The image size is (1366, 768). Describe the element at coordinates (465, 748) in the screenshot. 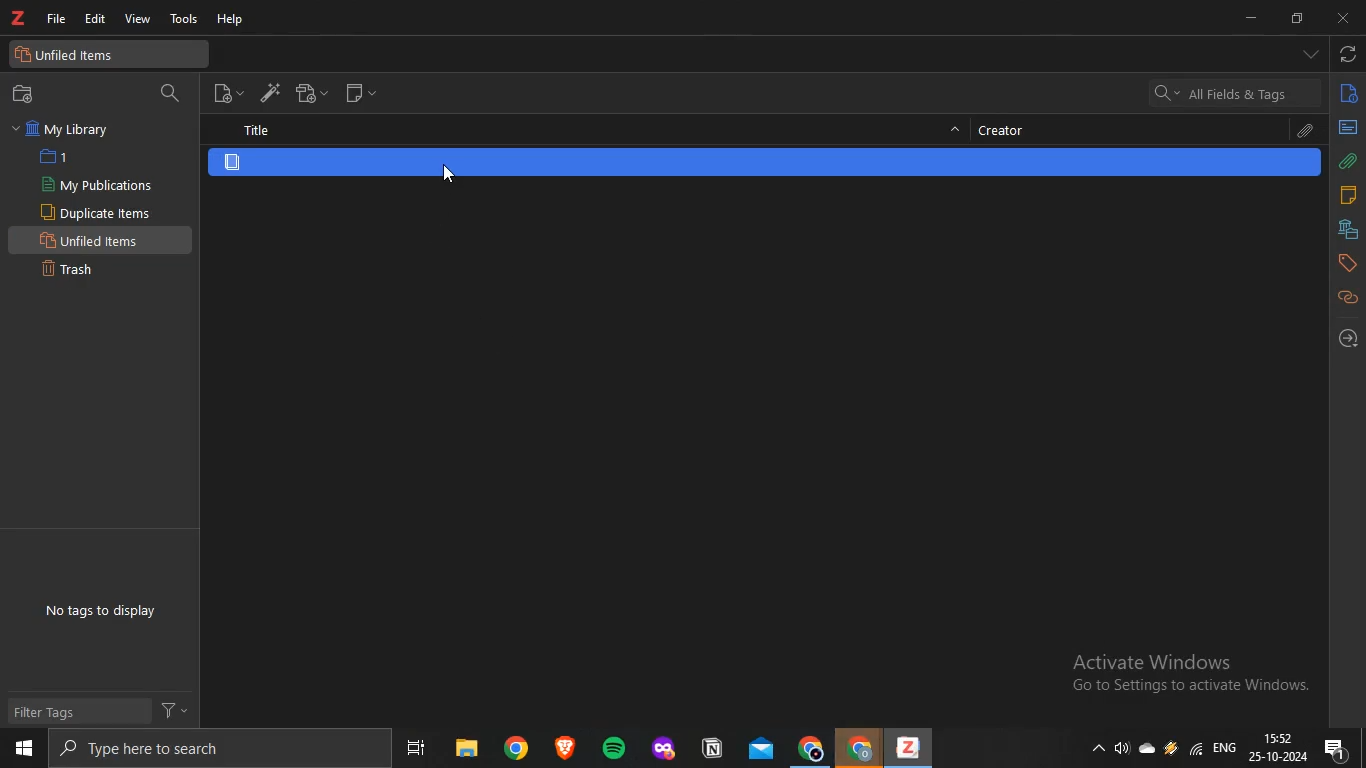

I see `files` at that location.